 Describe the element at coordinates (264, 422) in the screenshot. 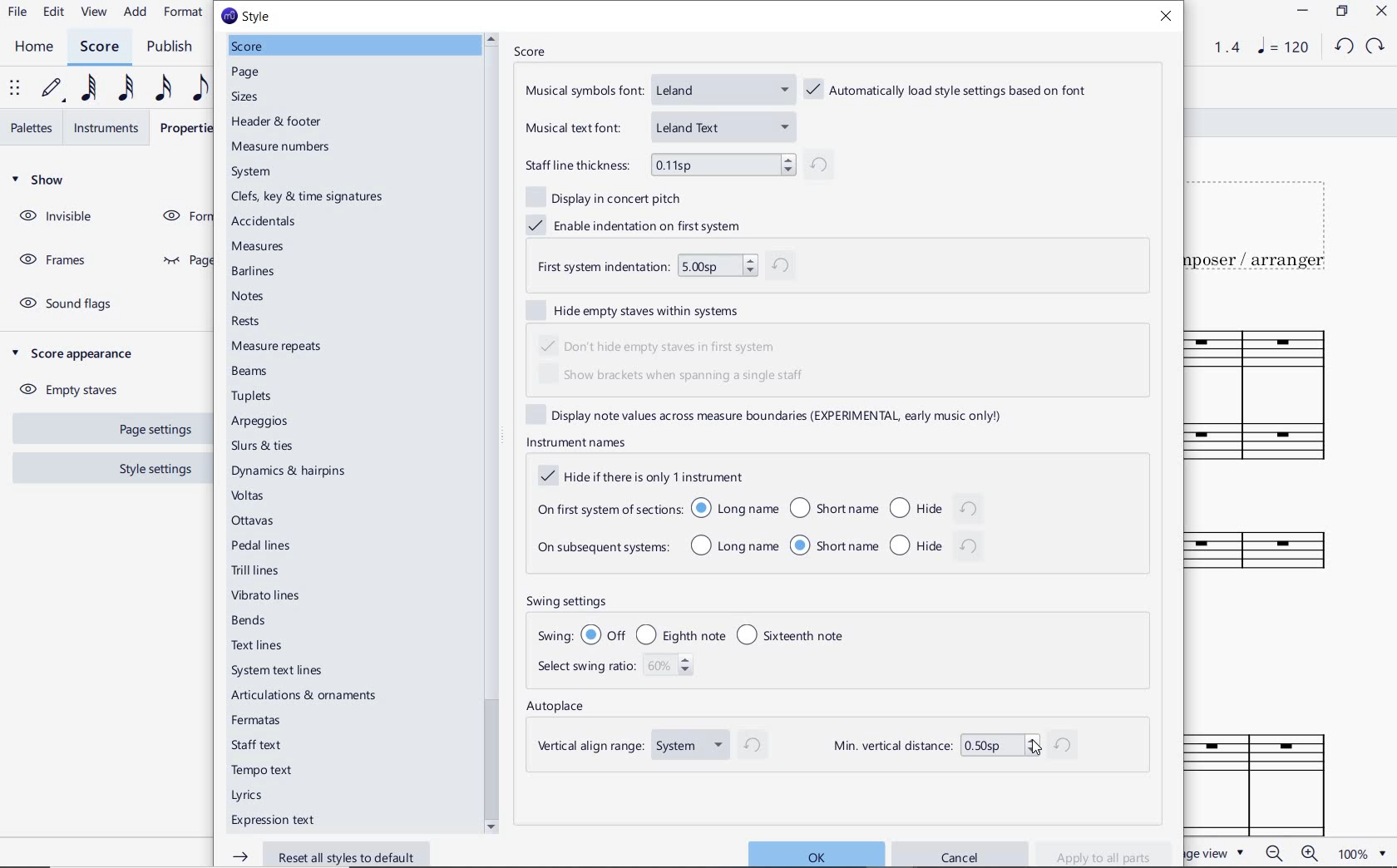

I see `arpeggios` at that location.